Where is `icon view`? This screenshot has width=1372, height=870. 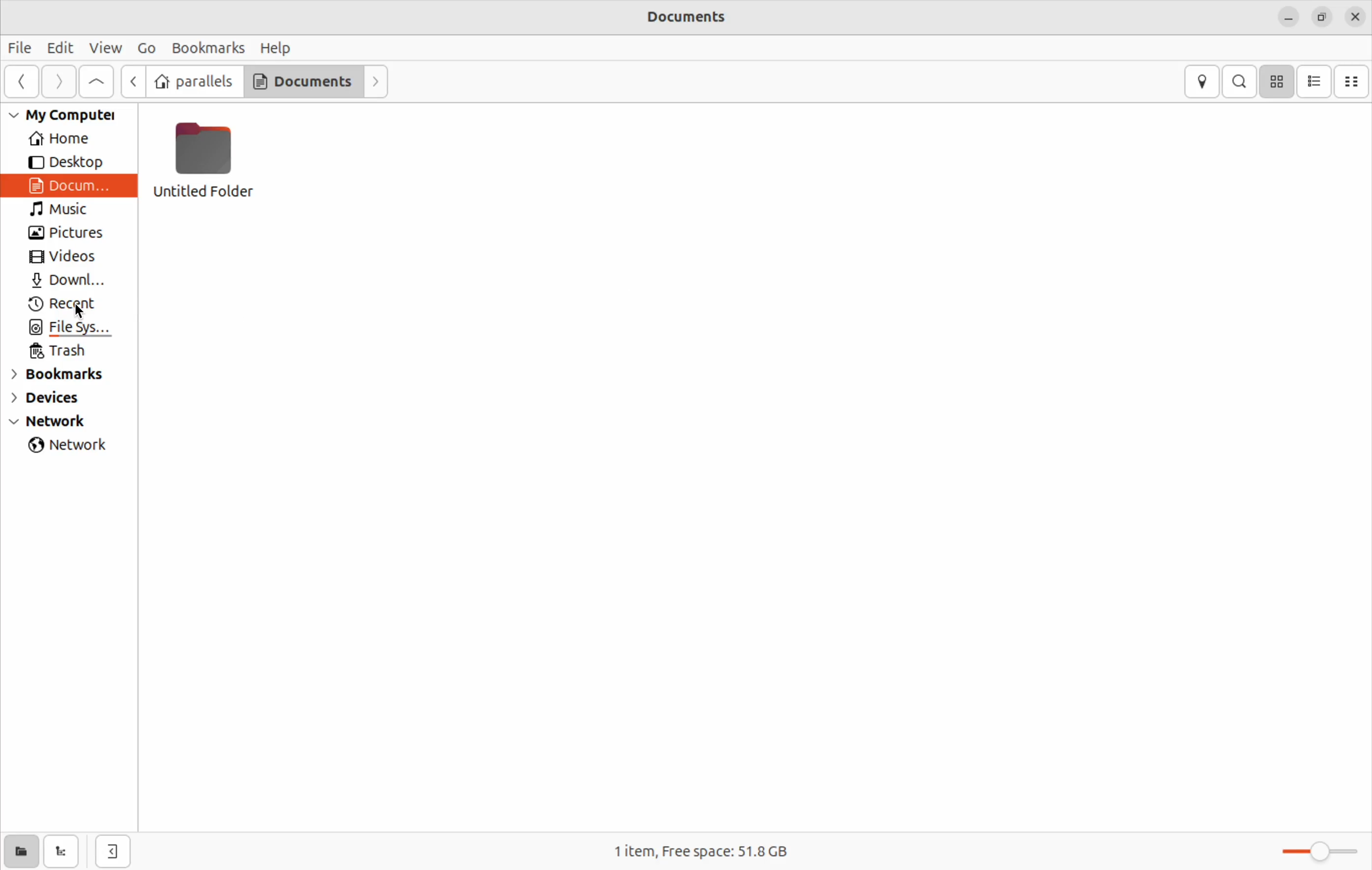
icon view is located at coordinates (1278, 81).